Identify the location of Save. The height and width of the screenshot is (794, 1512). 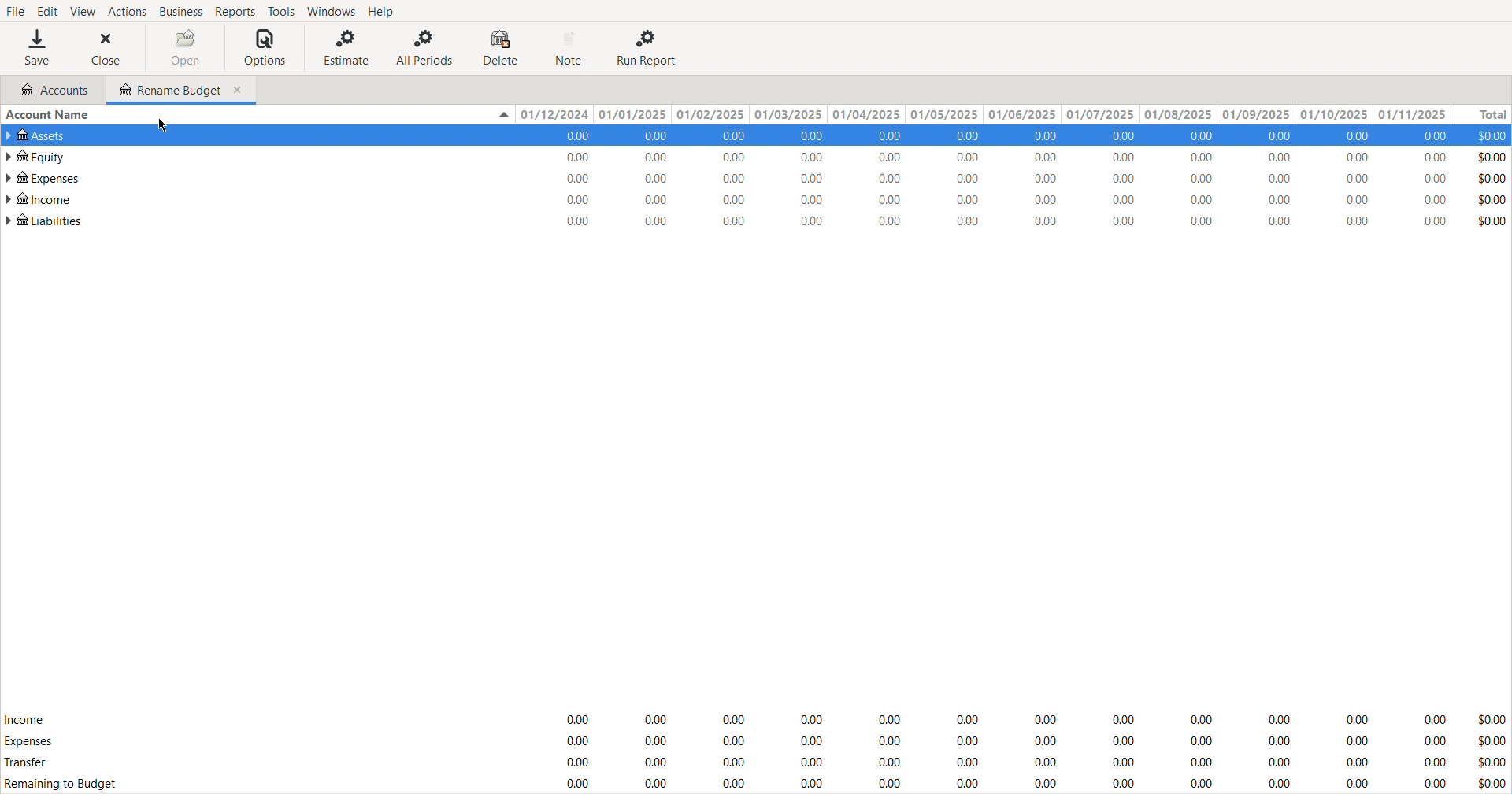
(37, 47).